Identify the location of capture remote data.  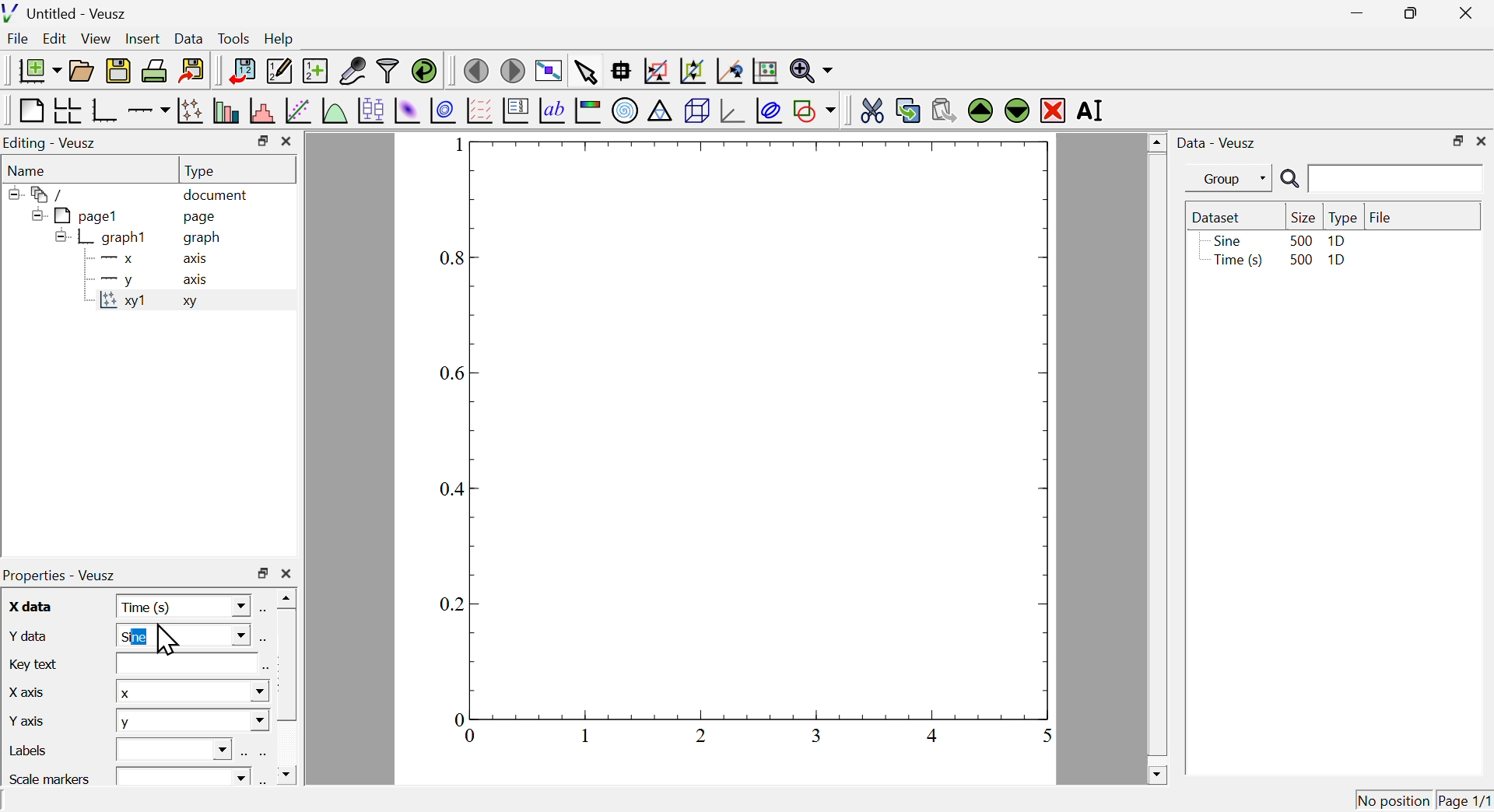
(352, 71).